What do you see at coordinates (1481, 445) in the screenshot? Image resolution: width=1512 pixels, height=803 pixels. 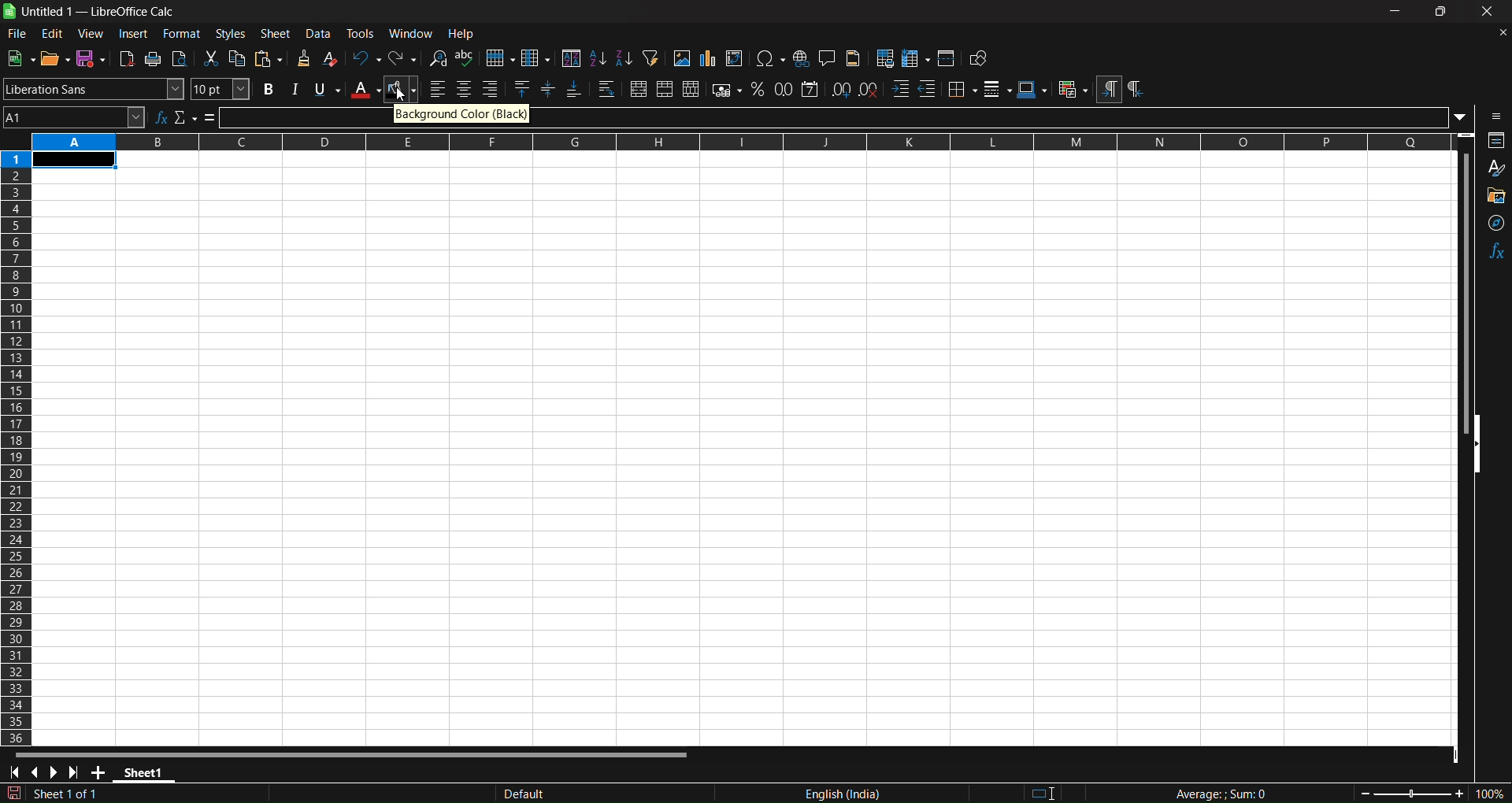 I see `hide` at bounding box center [1481, 445].